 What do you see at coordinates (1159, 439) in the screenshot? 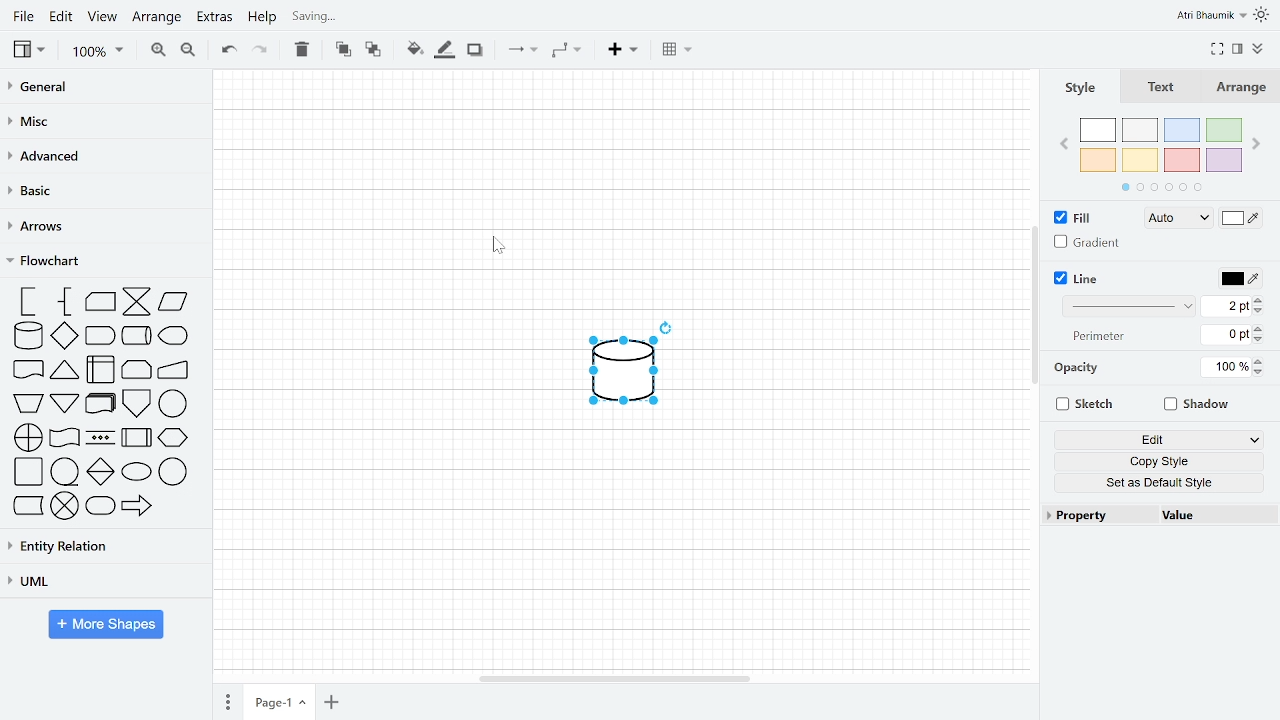
I see `Edit` at bounding box center [1159, 439].